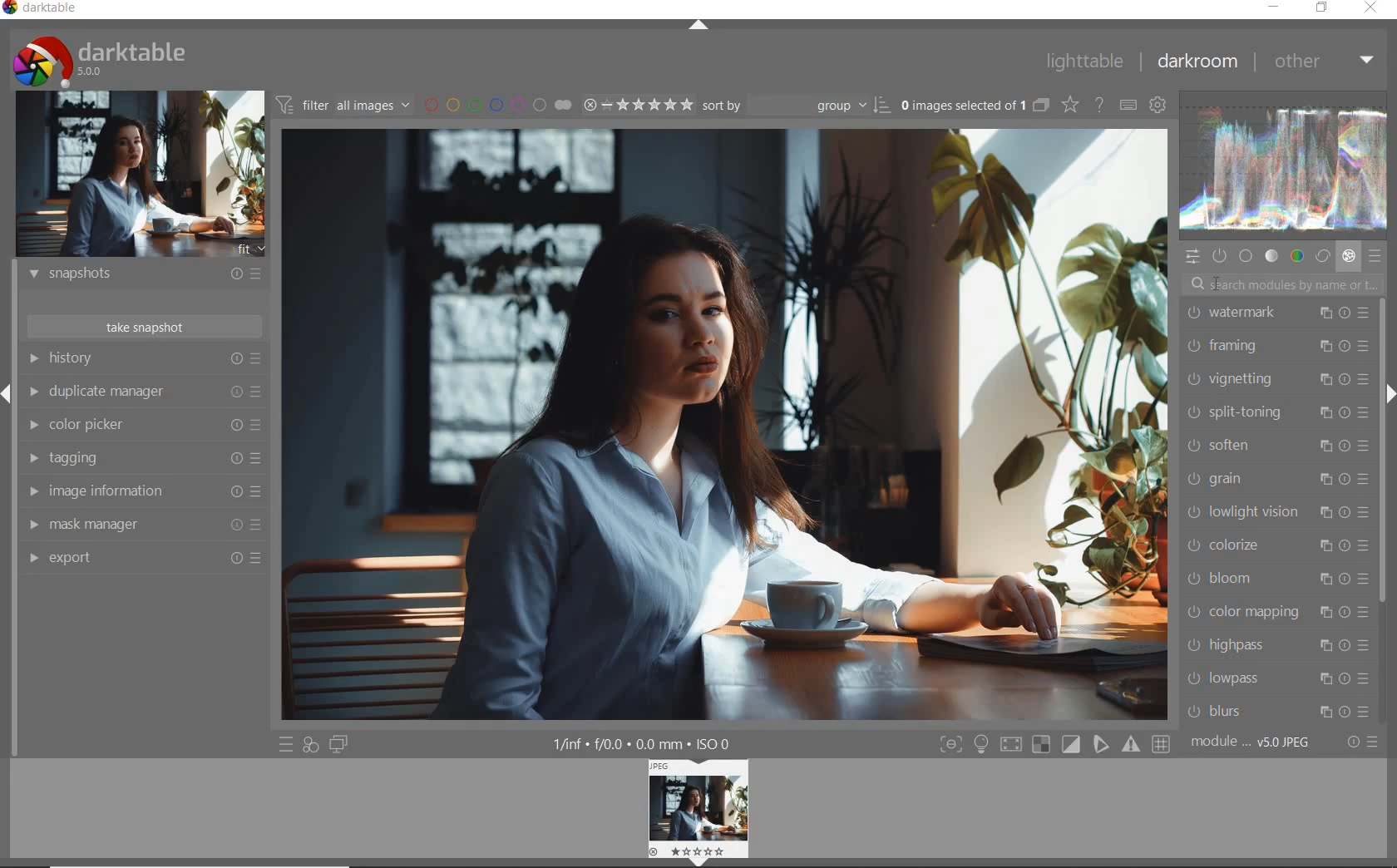  What do you see at coordinates (695, 812) in the screenshot?
I see `image preview` at bounding box center [695, 812].